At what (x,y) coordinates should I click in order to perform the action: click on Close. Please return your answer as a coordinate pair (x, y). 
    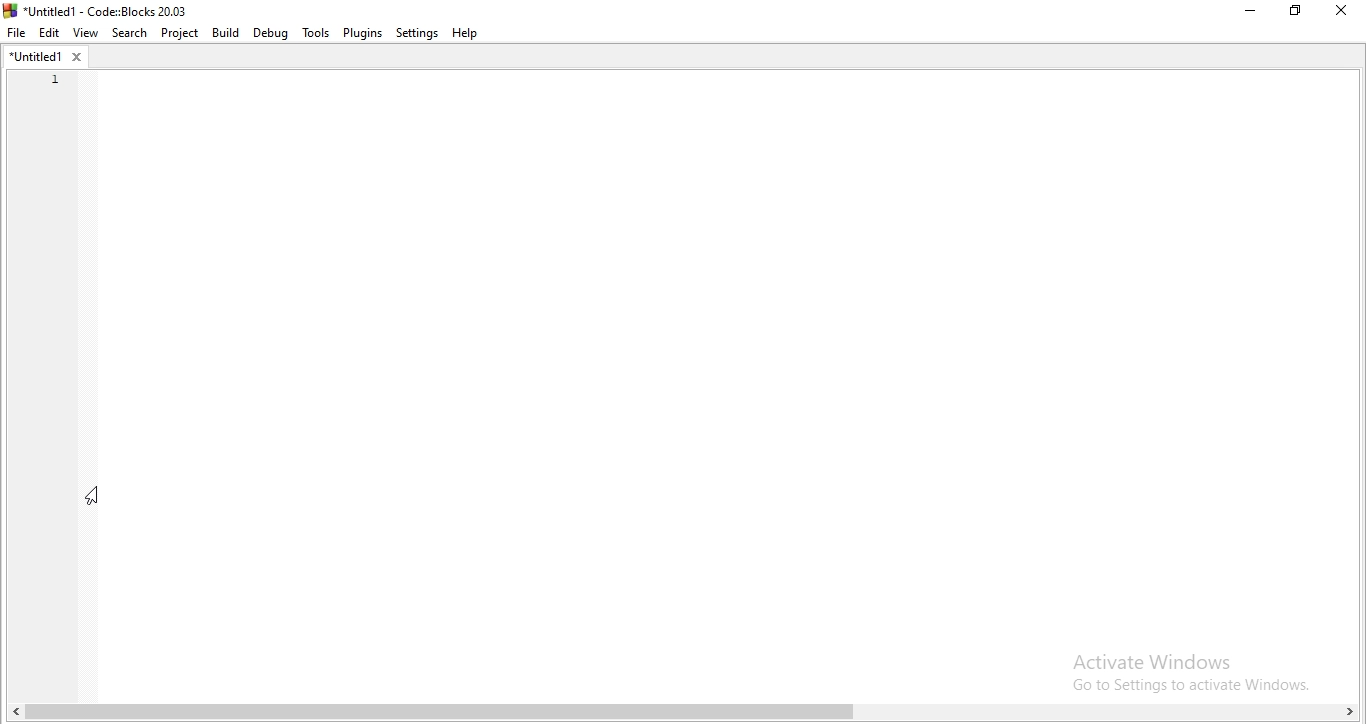
    Looking at the image, I should click on (1340, 14).